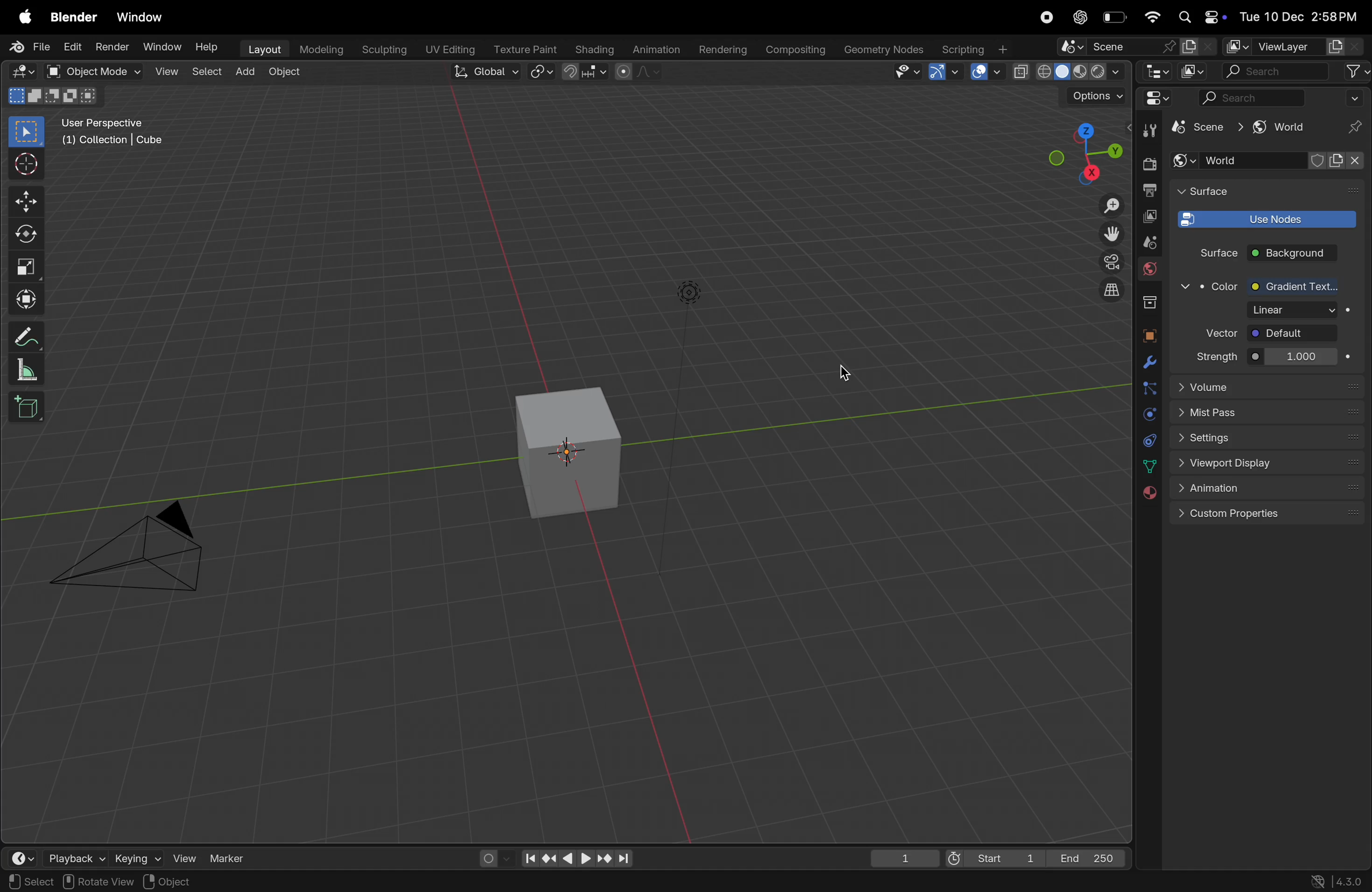 The height and width of the screenshot is (892, 1372). What do you see at coordinates (1297, 287) in the screenshot?
I see `Gradient texture` at bounding box center [1297, 287].